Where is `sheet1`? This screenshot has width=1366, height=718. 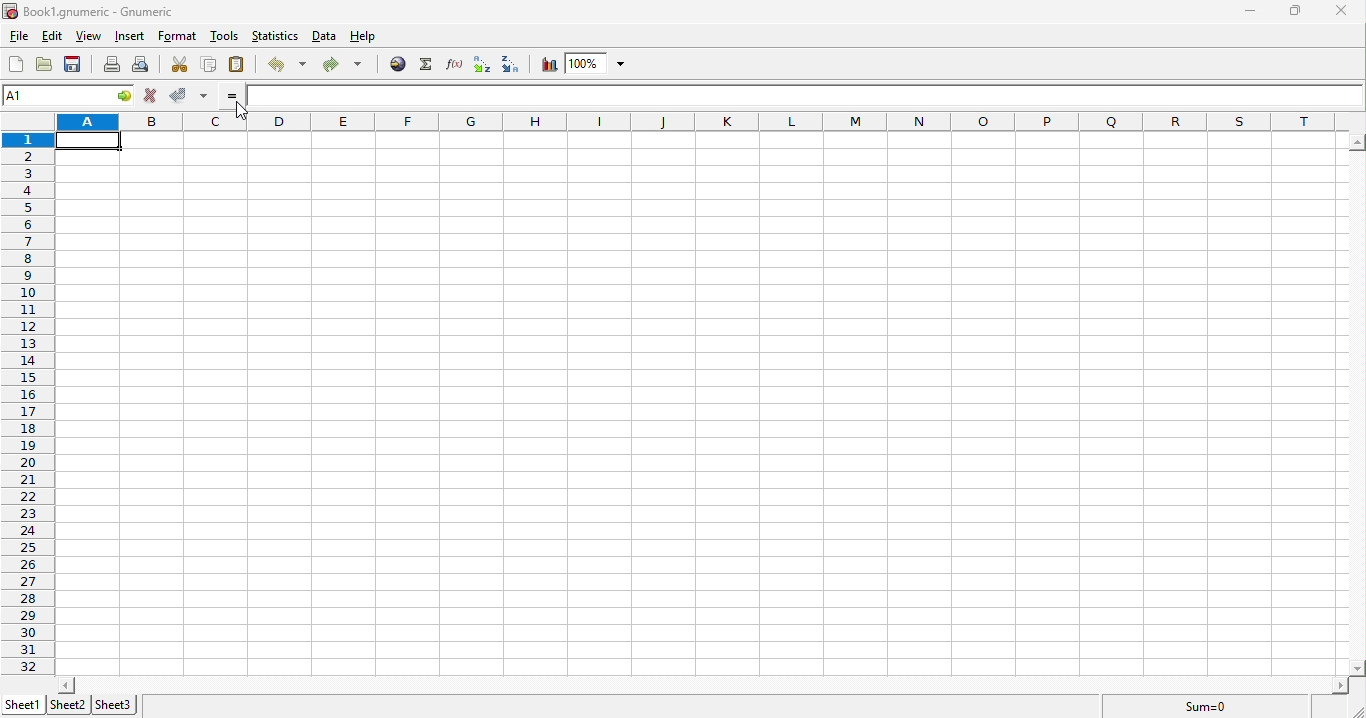
sheet1 is located at coordinates (26, 705).